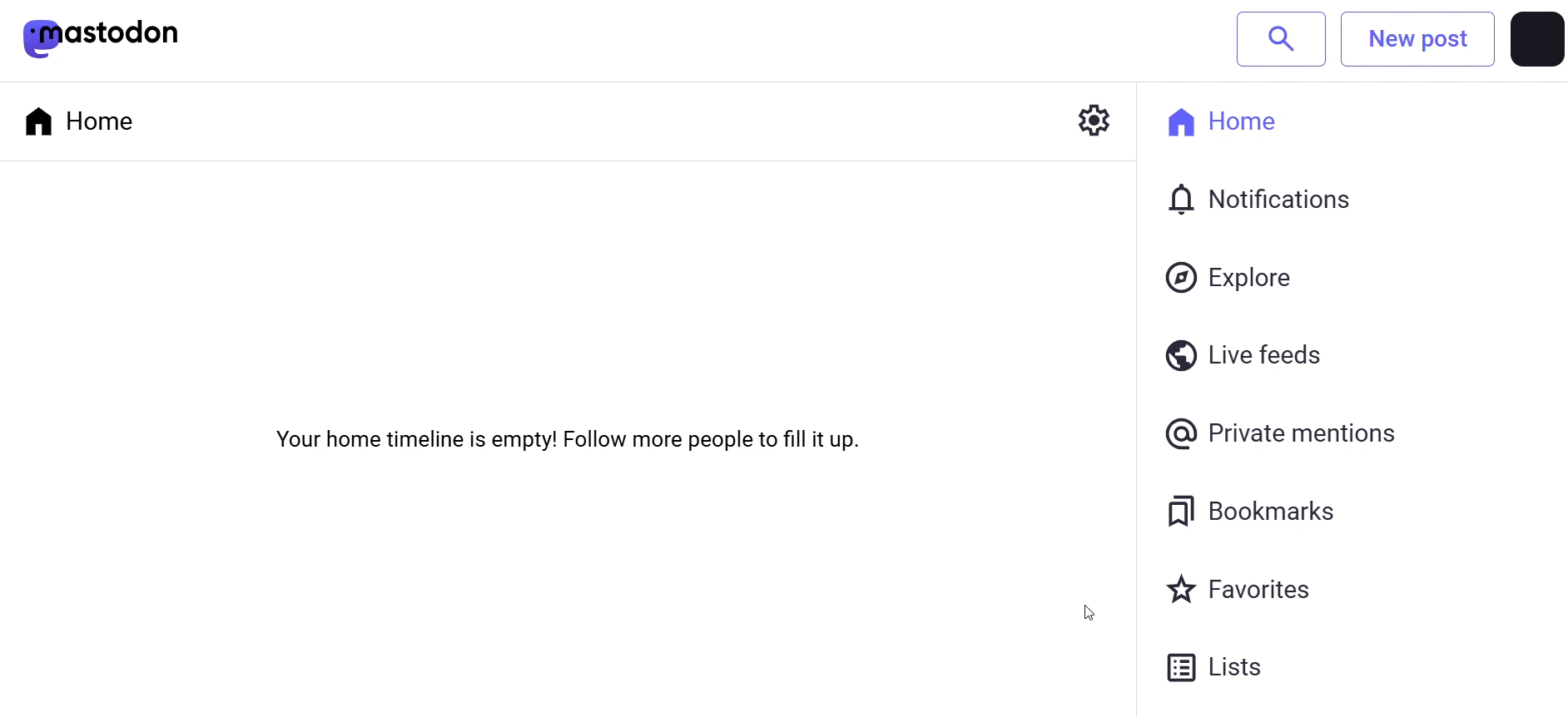 Image resolution: width=1568 pixels, height=717 pixels. What do you see at coordinates (1244, 590) in the screenshot?
I see `favorites` at bounding box center [1244, 590].